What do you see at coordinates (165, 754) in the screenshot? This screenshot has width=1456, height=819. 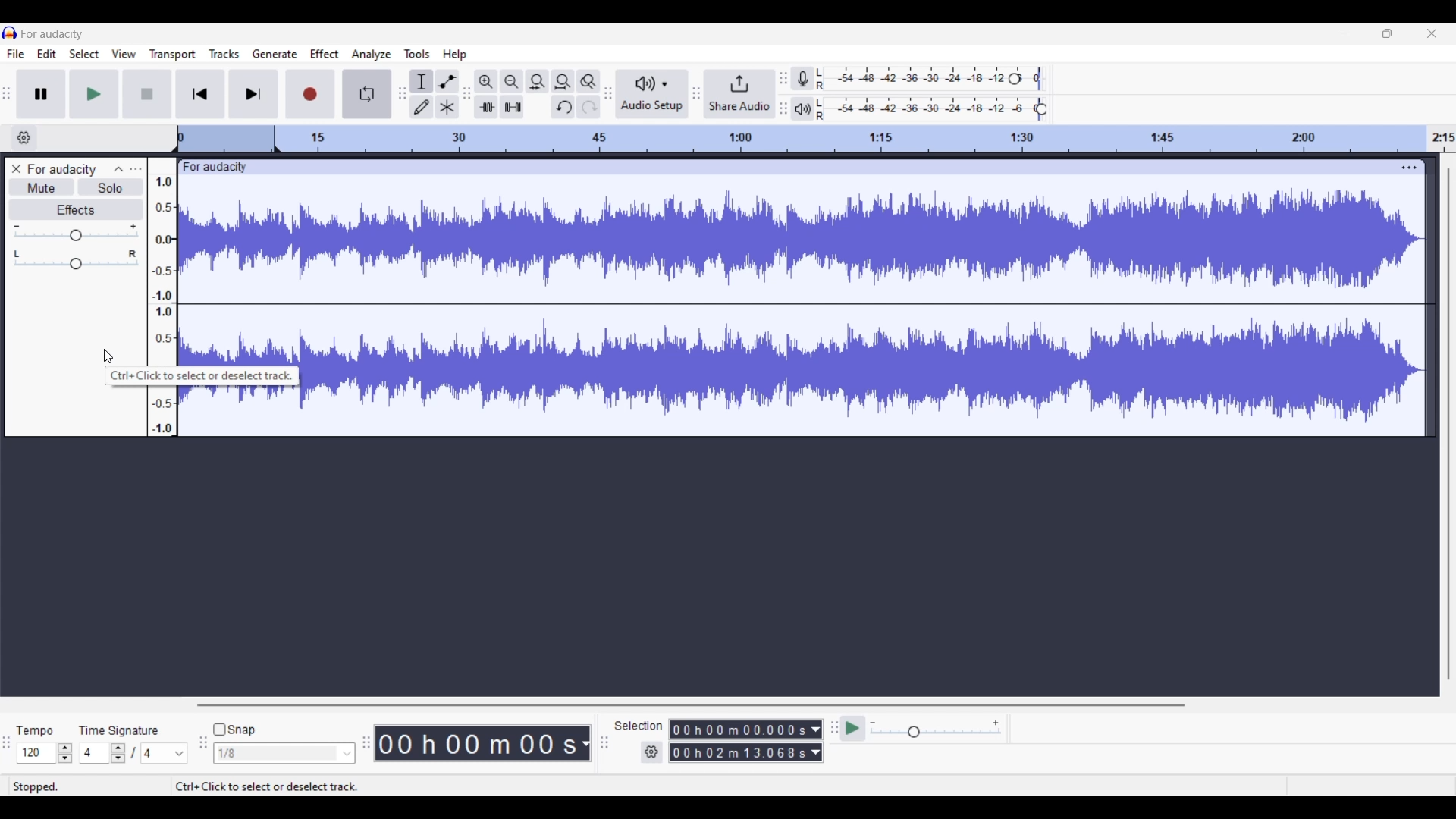 I see `Max. time signature options` at bounding box center [165, 754].